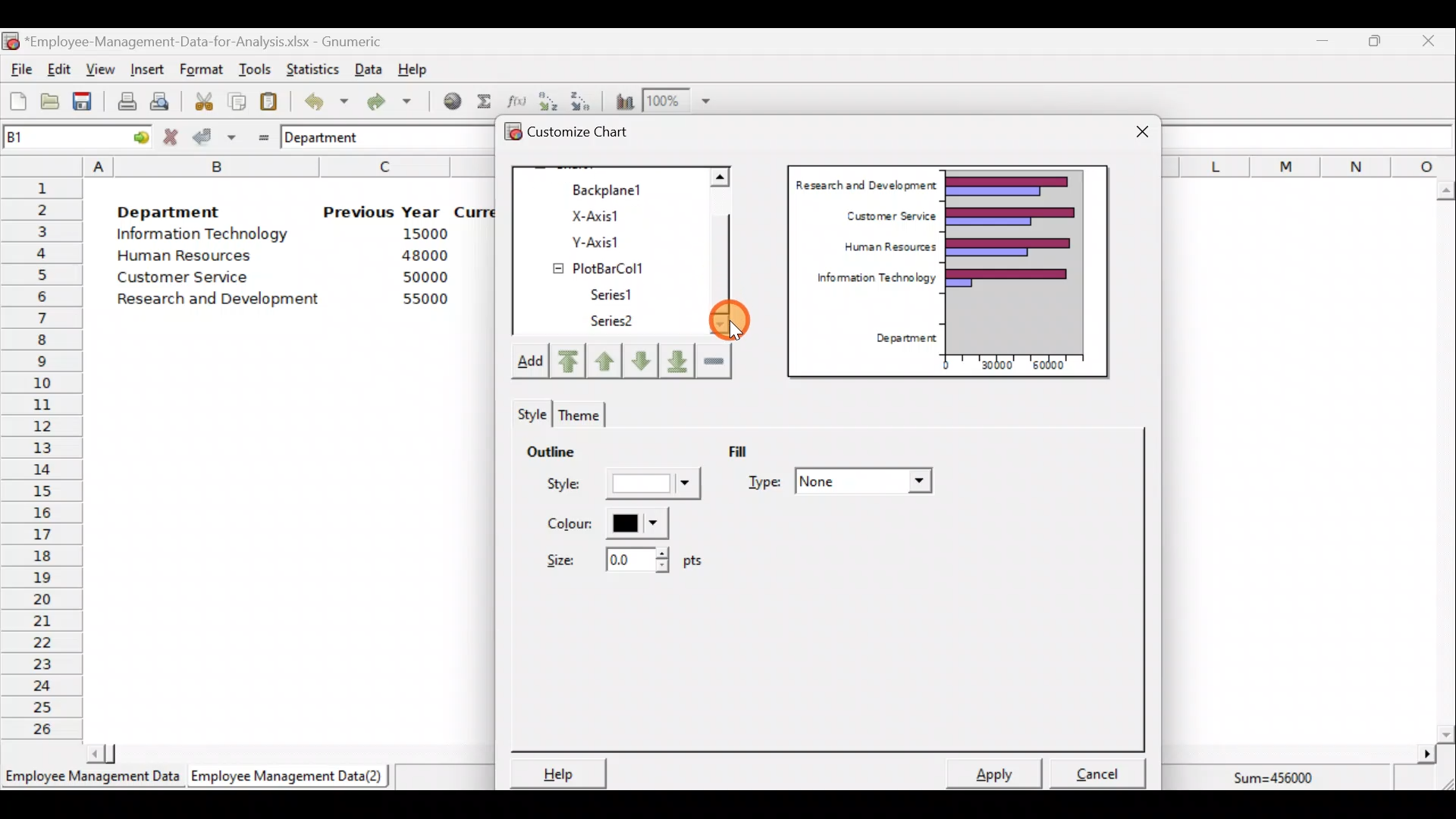  I want to click on Edit, so click(60, 71).